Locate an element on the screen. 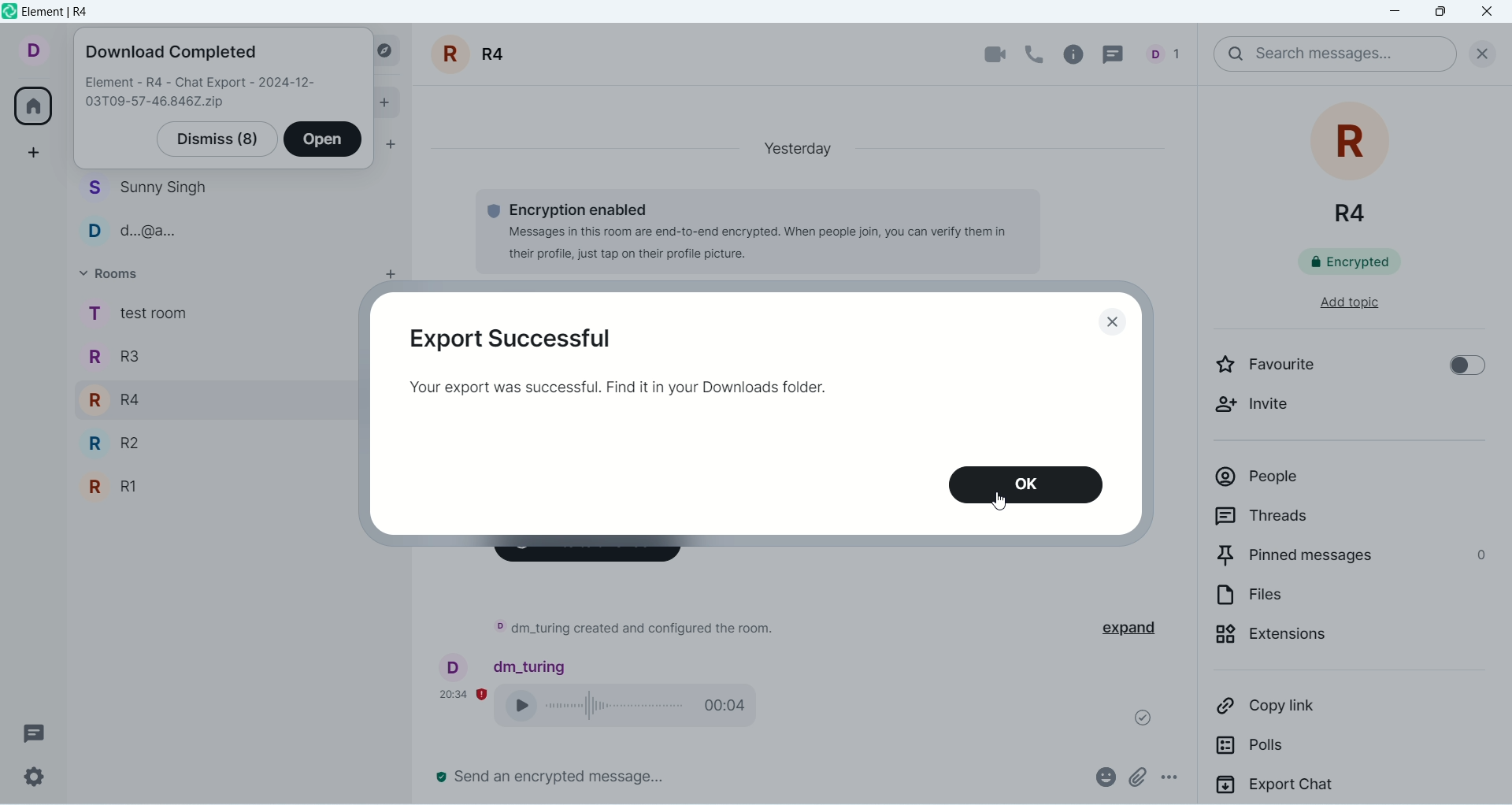 The height and width of the screenshot is (805, 1512). ok is located at coordinates (1028, 484).